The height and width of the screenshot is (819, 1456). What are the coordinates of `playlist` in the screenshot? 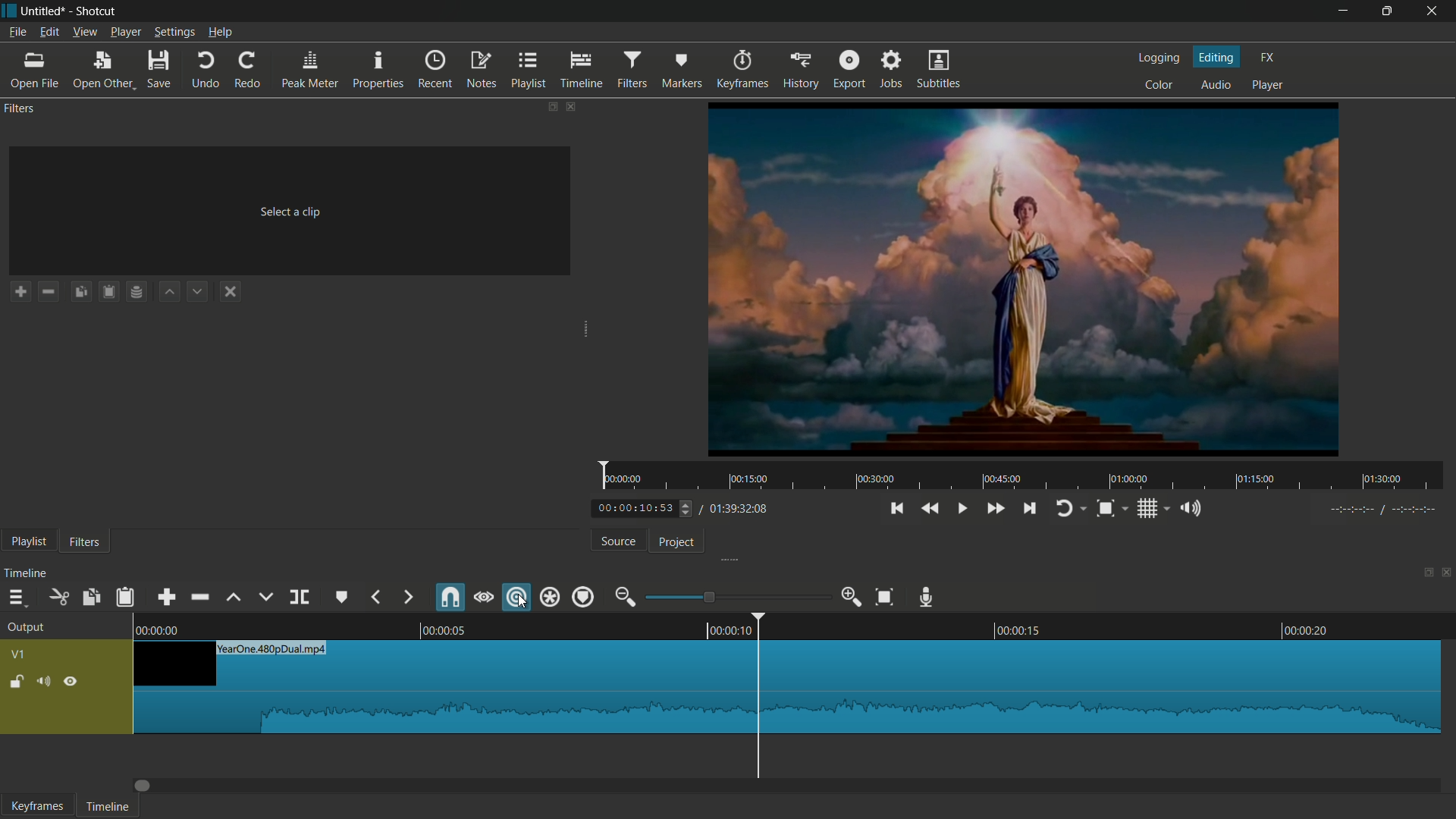 It's located at (529, 70).